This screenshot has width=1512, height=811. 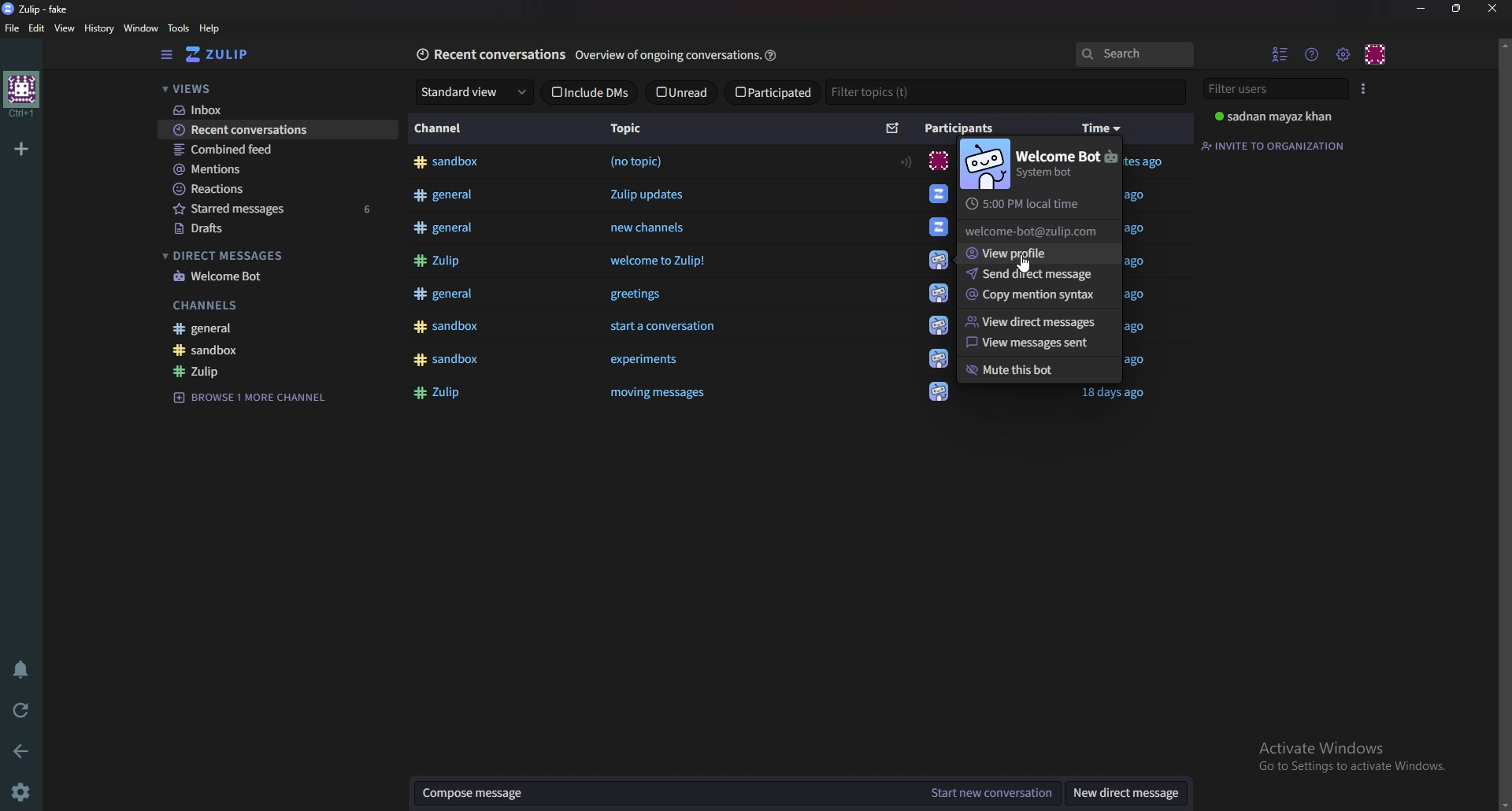 I want to click on Zulip updates, so click(x=645, y=194).